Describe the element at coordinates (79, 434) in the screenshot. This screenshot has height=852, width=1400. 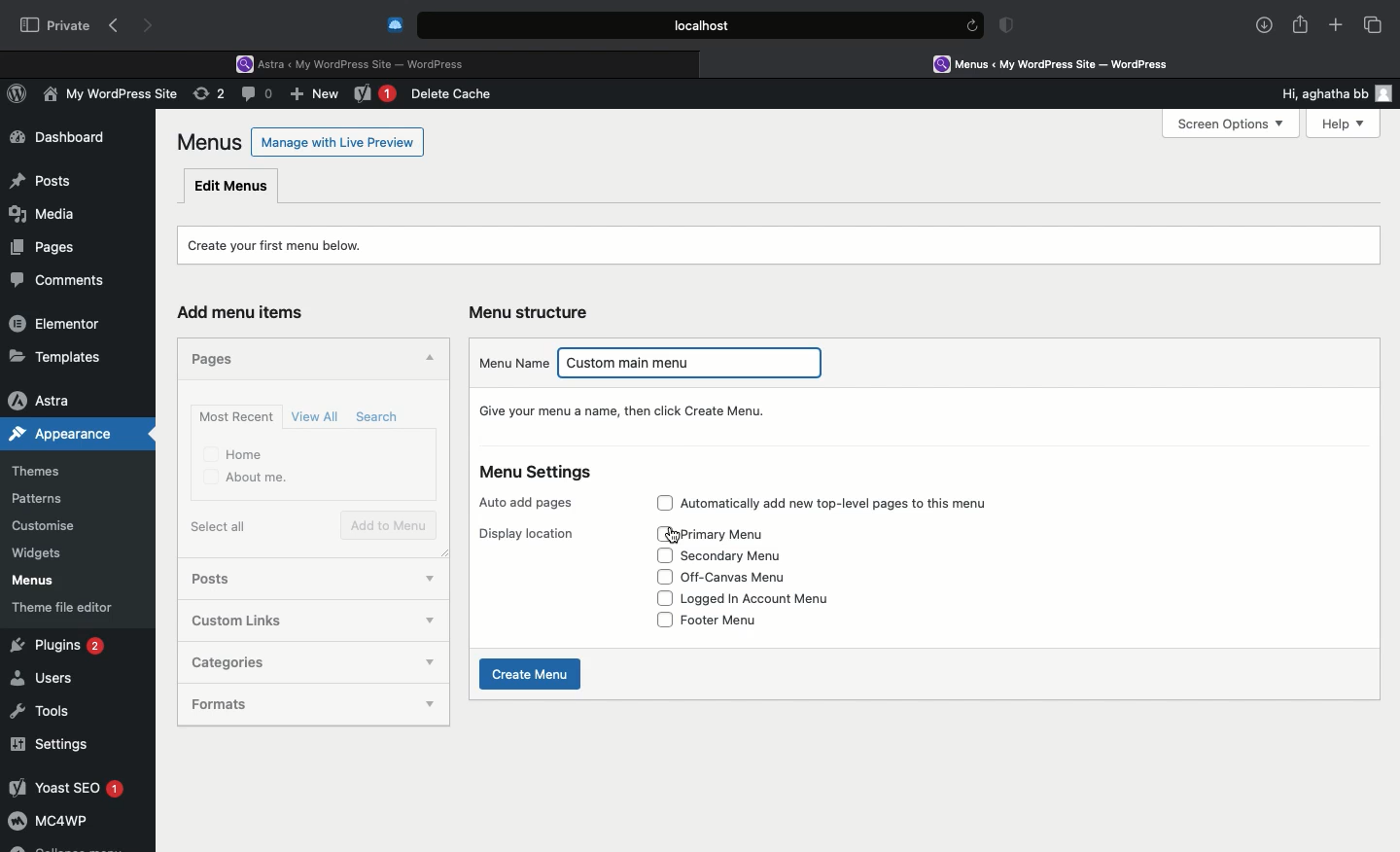
I see `Appearance` at that location.